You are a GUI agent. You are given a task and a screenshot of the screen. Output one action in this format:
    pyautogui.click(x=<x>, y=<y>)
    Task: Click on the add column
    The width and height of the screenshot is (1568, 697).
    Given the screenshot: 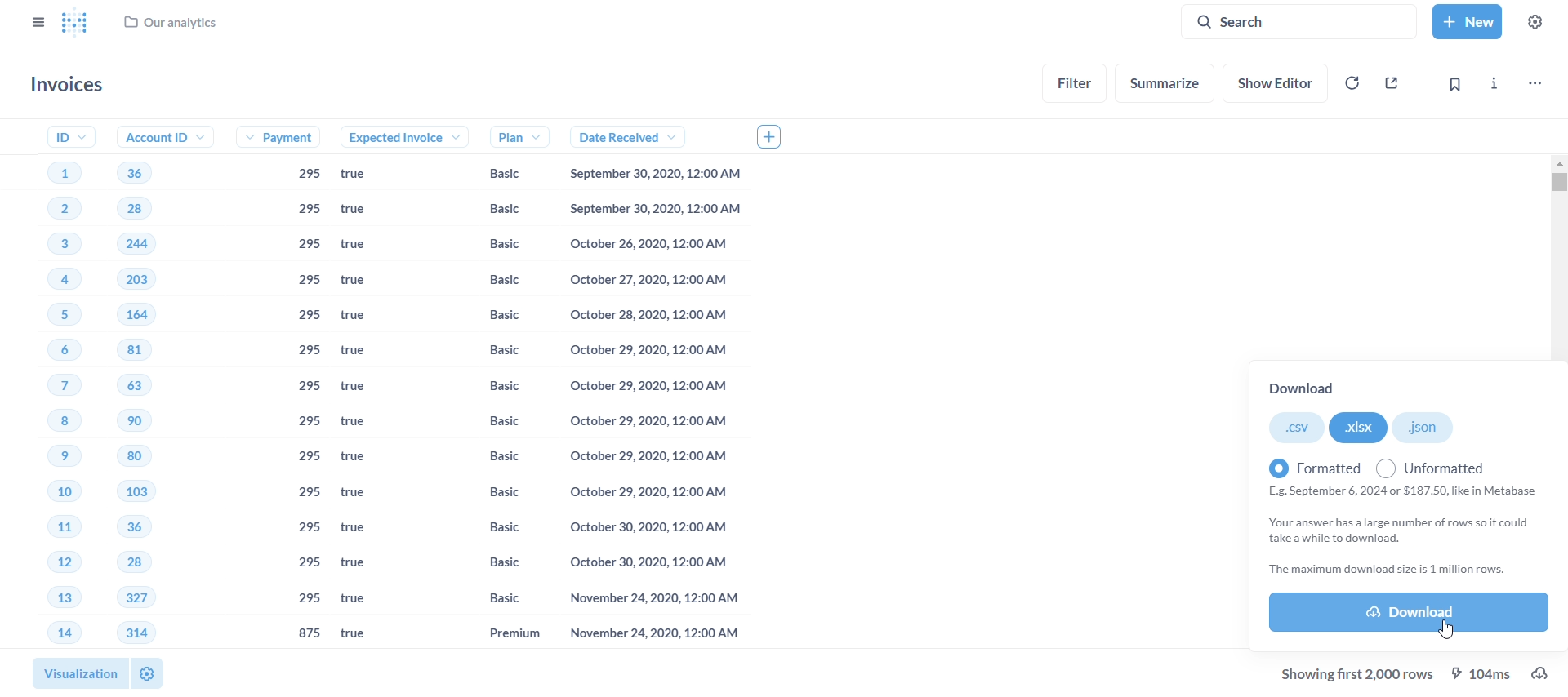 What is the action you would take?
    pyautogui.click(x=776, y=135)
    